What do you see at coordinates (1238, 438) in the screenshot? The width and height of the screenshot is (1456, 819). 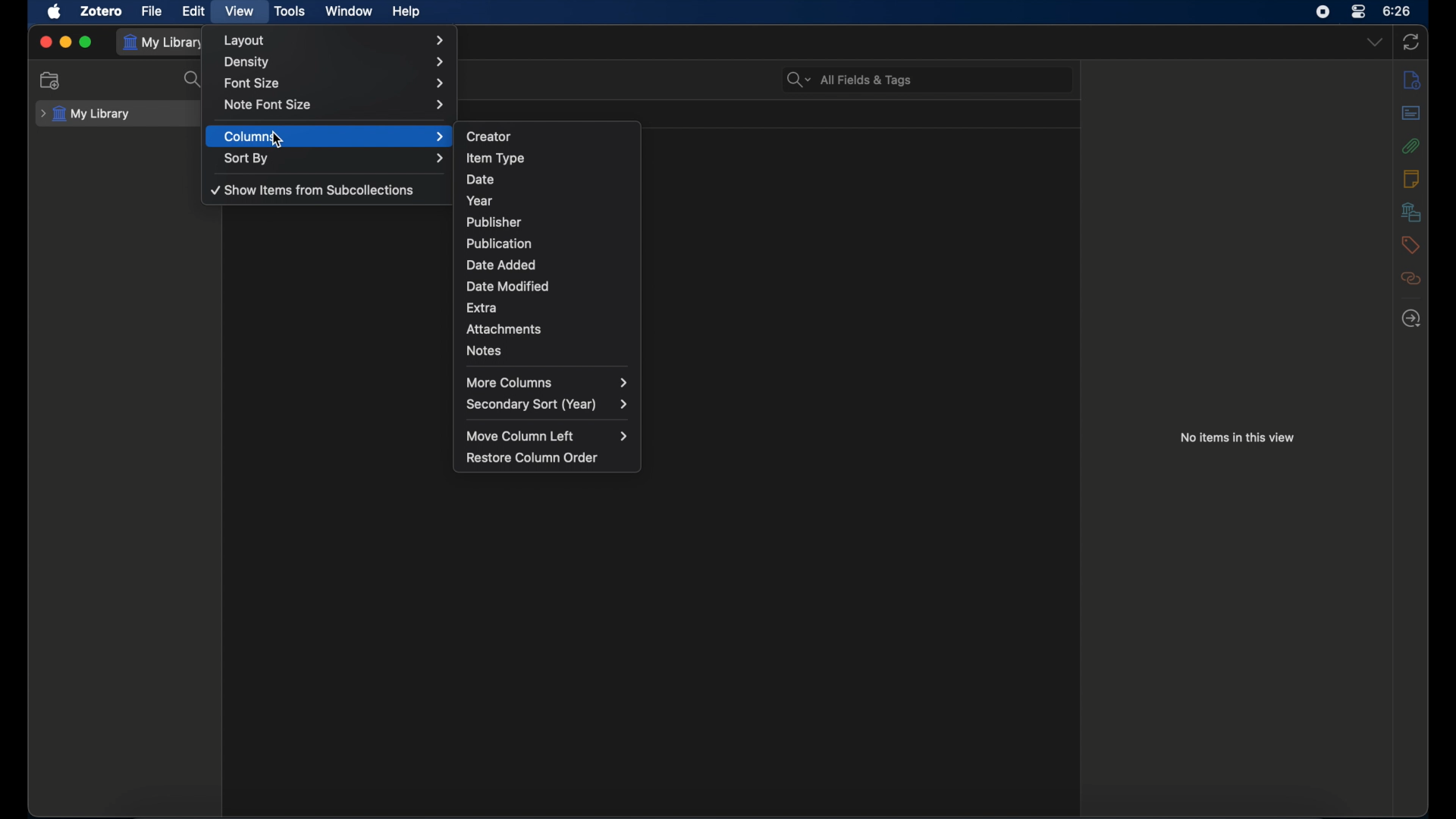 I see `no items in this view` at bounding box center [1238, 438].